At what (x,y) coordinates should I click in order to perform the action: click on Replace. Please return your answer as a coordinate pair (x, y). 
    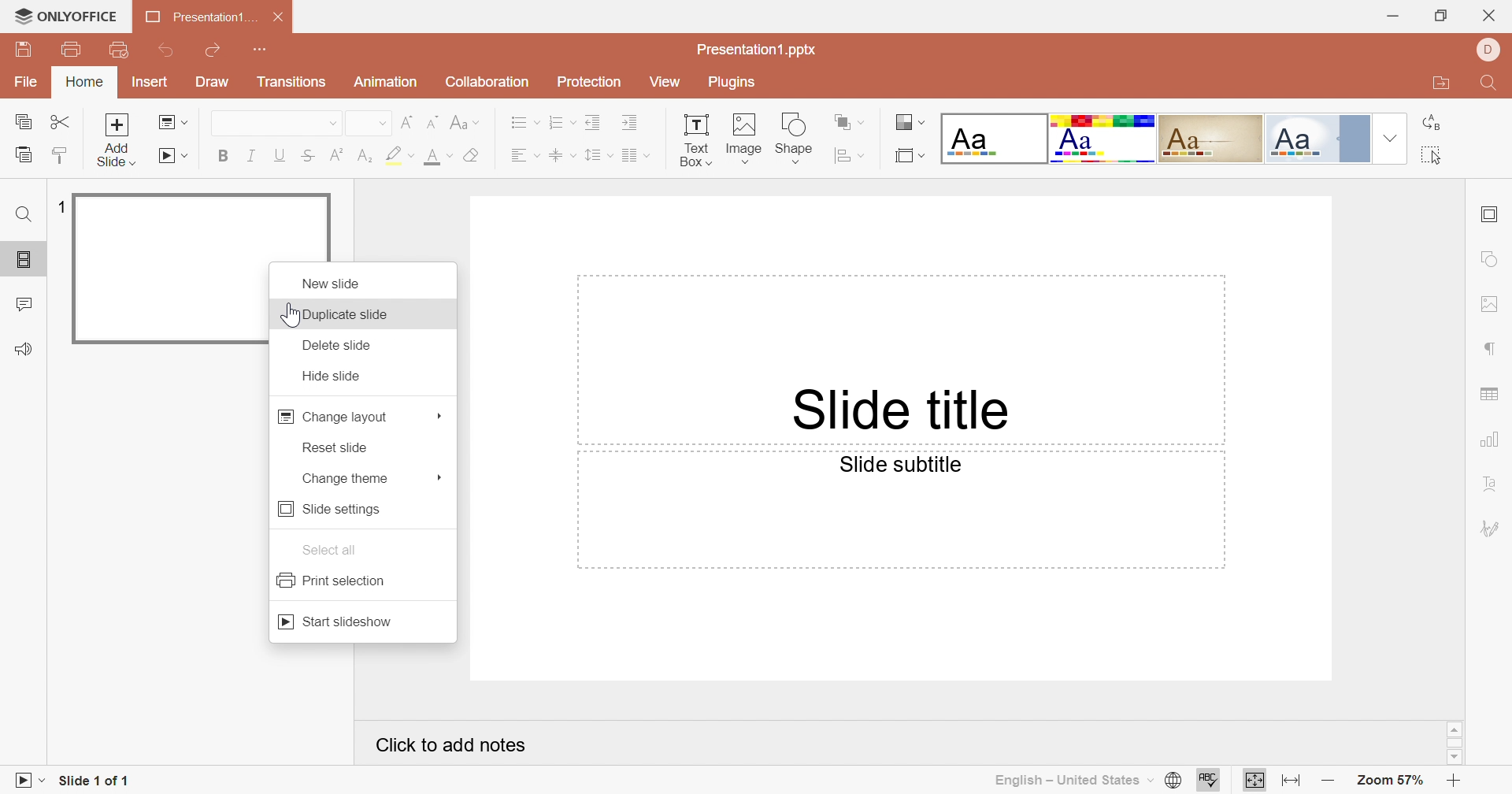
    Looking at the image, I should click on (1432, 121).